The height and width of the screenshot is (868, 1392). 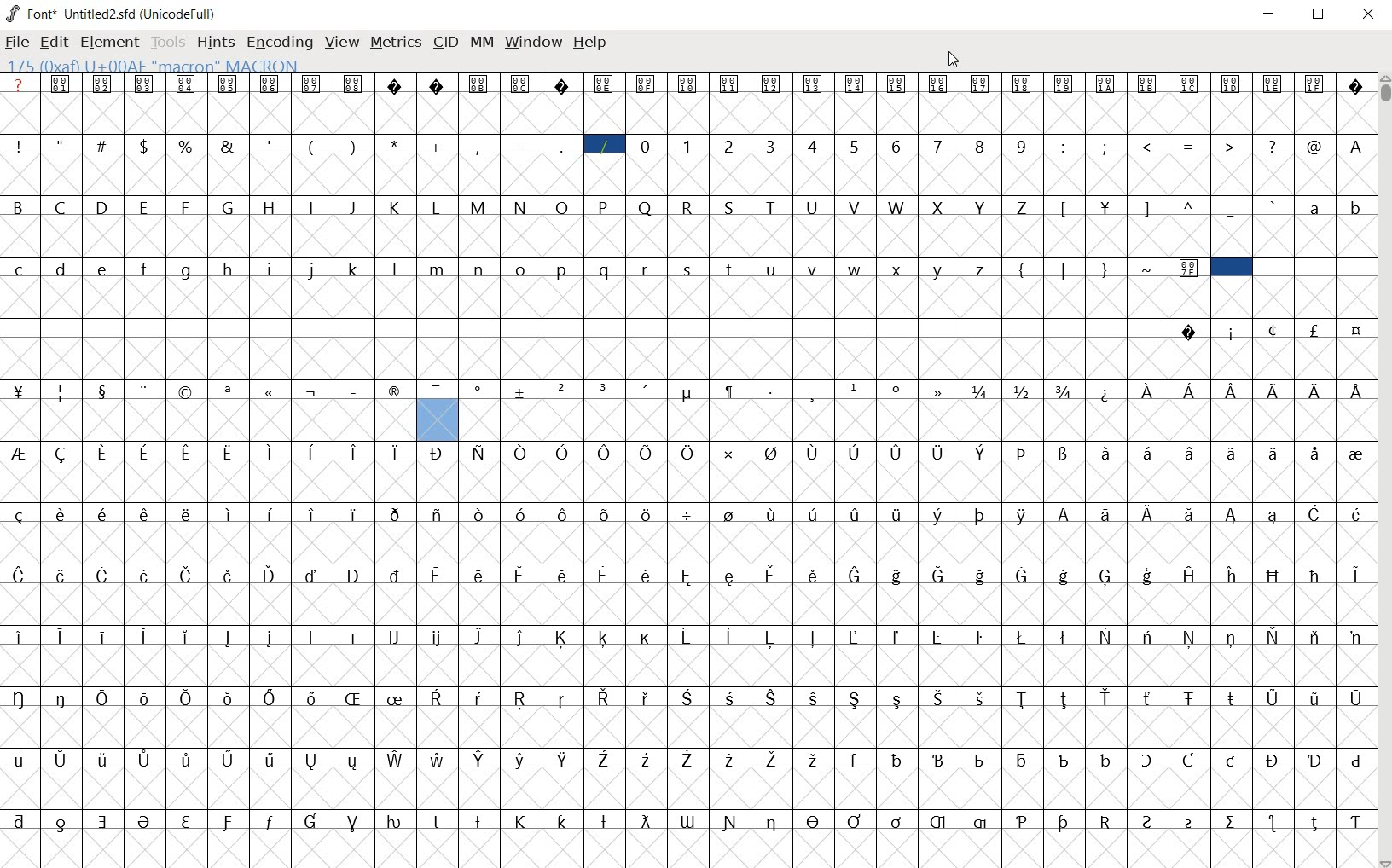 I want to click on Symbol, so click(x=20, y=454).